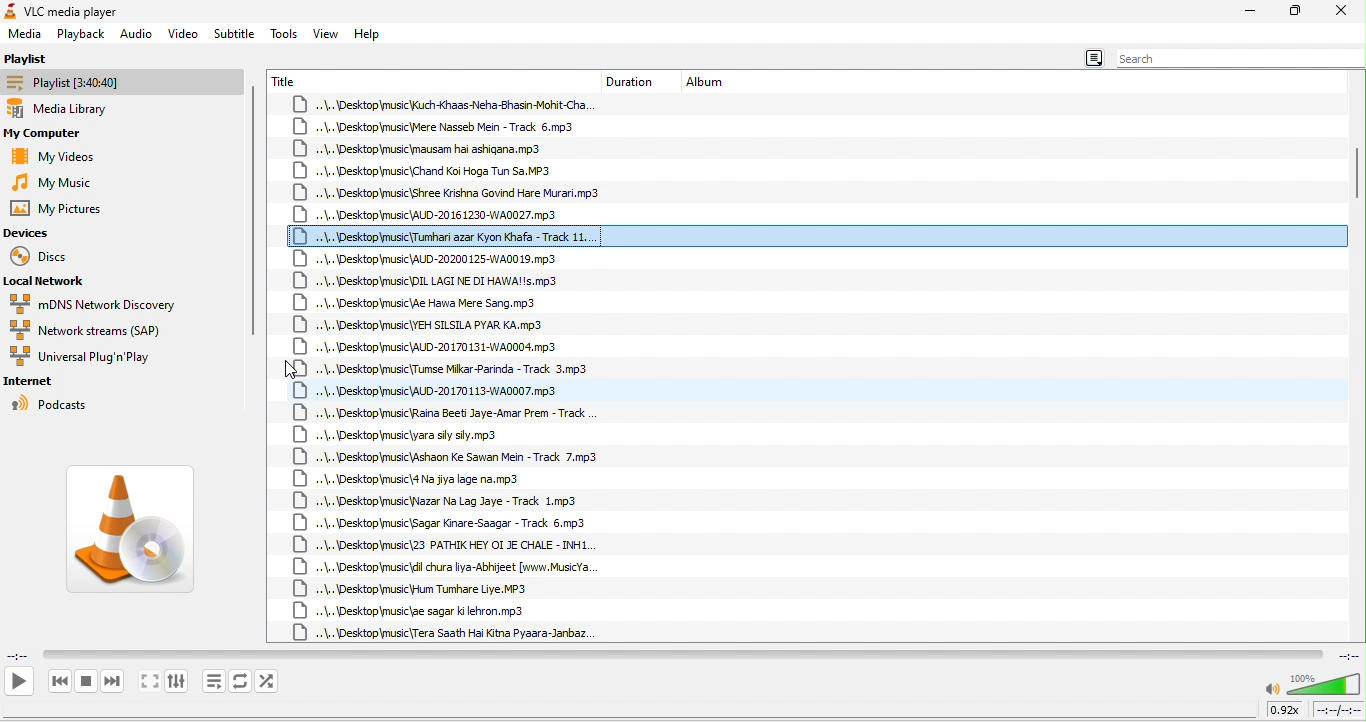 The height and width of the screenshot is (722, 1366). Describe the element at coordinates (1092, 59) in the screenshot. I see `menu` at that location.